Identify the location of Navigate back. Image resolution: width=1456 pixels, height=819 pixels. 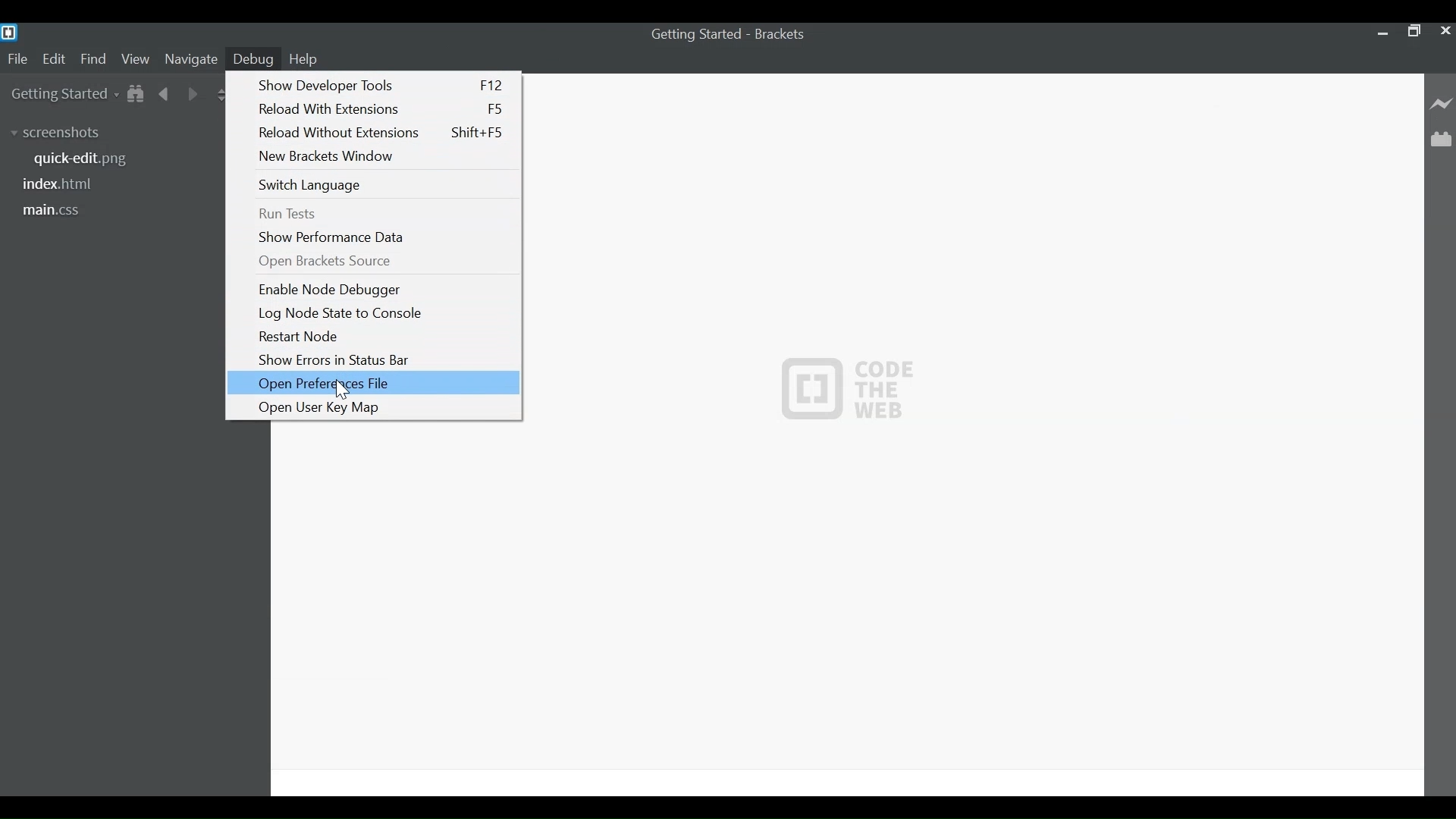
(165, 96).